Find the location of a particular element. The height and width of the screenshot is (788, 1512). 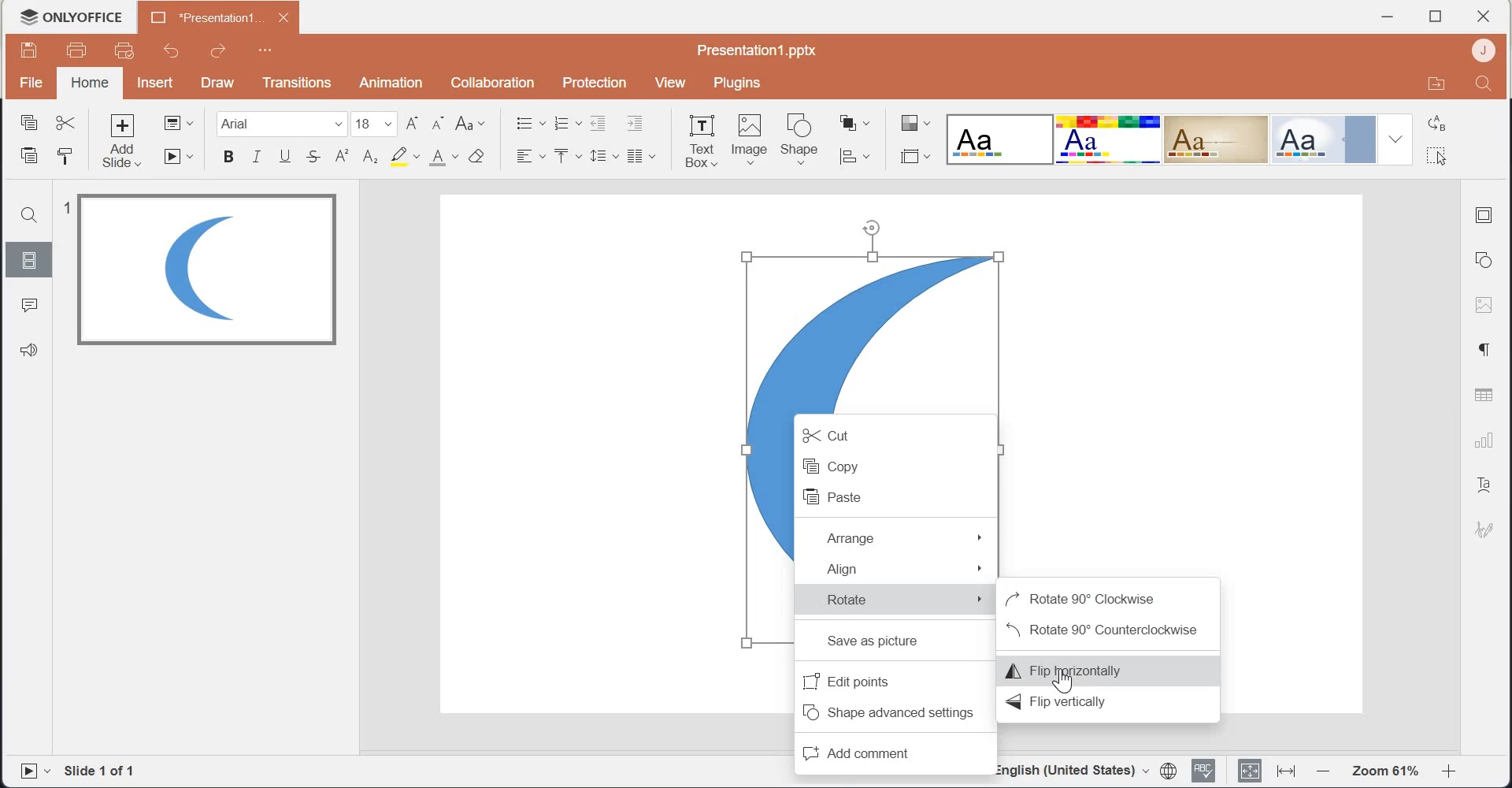

Classic is located at coordinates (1217, 139).